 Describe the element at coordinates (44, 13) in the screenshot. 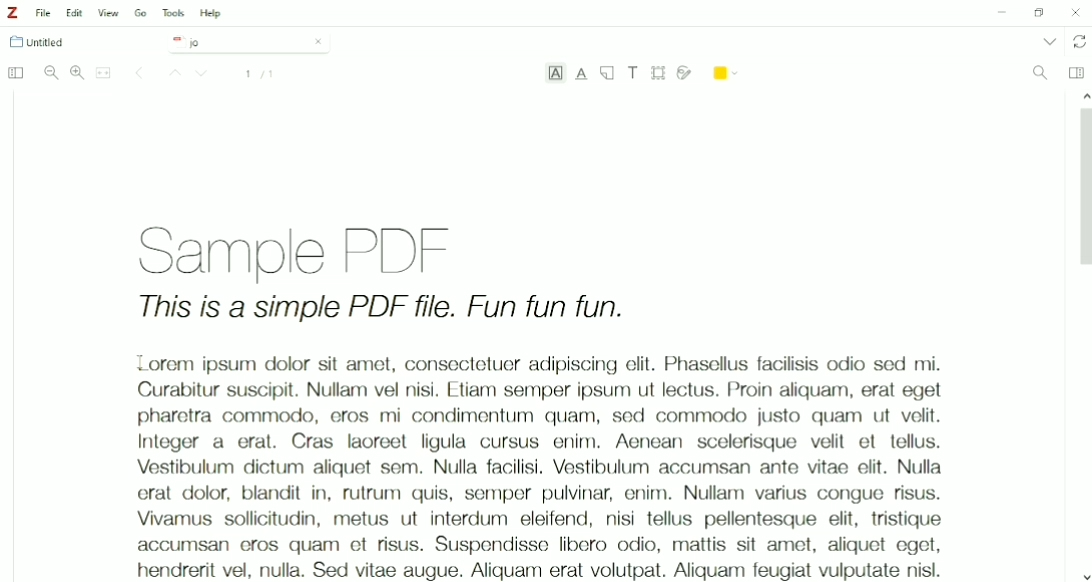

I see `File` at that location.